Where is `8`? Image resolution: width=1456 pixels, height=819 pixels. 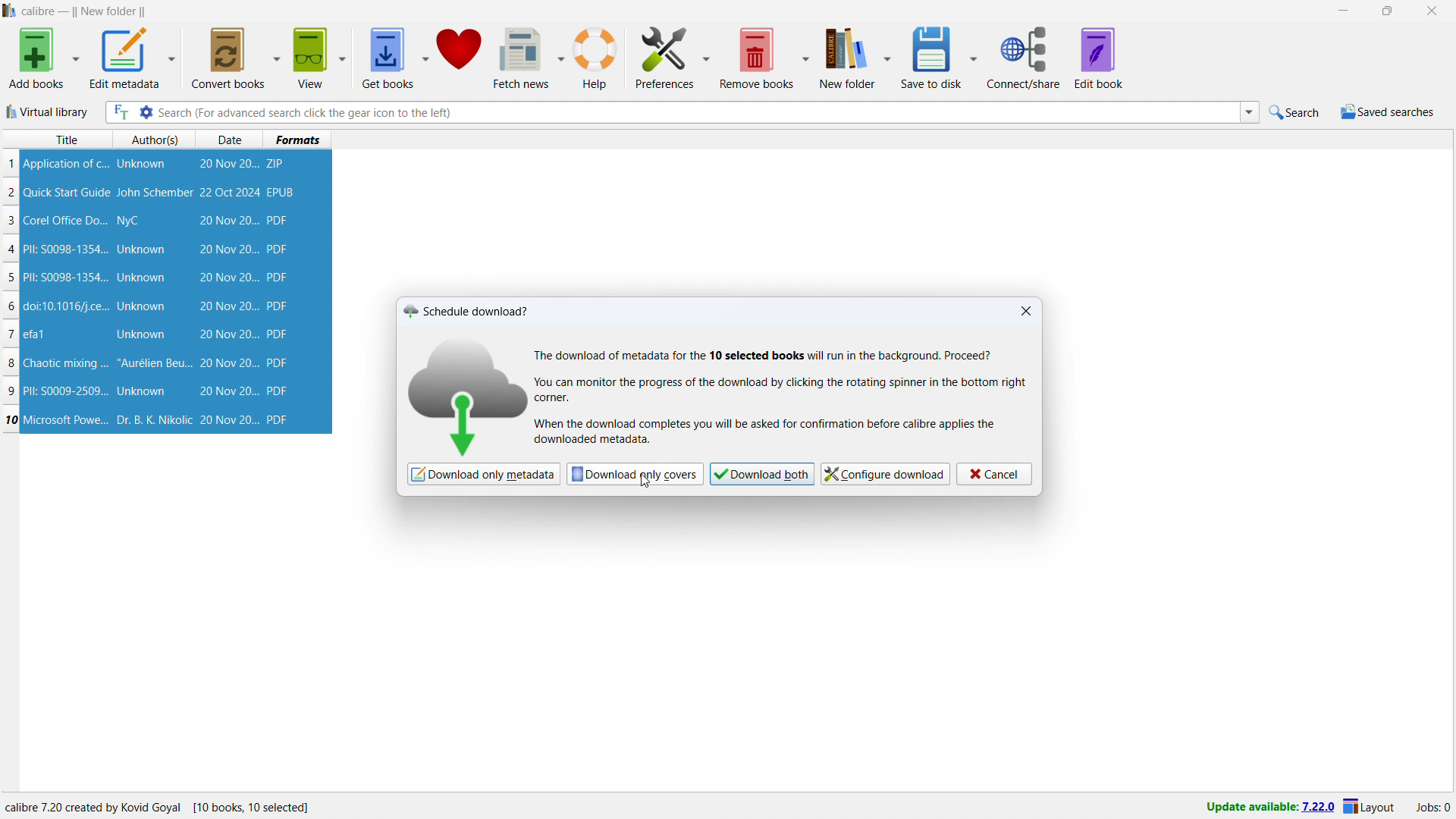 8 is located at coordinates (11, 363).